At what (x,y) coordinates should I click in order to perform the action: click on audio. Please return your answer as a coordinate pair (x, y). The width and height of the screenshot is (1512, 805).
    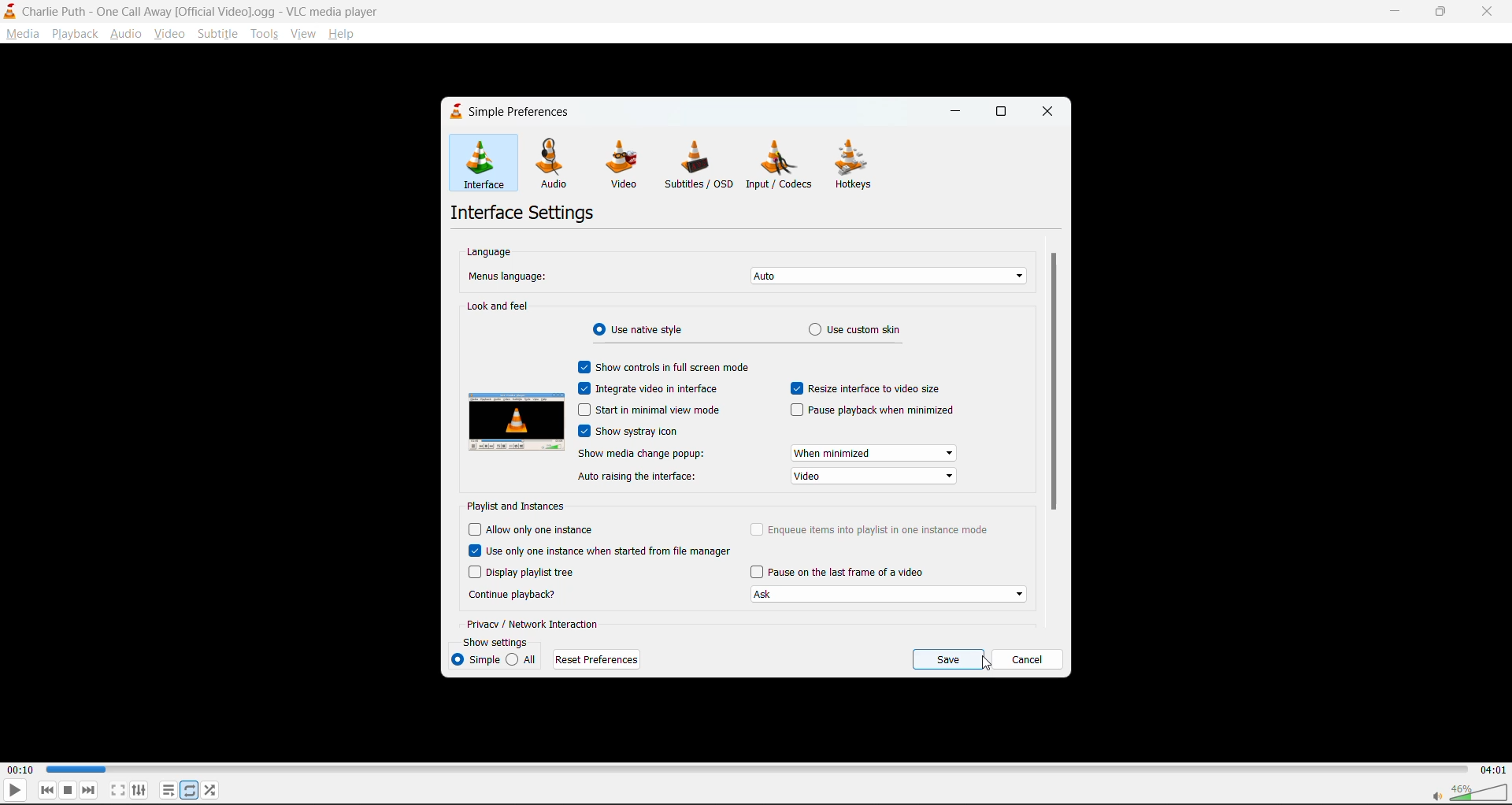
    Looking at the image, I should click on (126, 34).